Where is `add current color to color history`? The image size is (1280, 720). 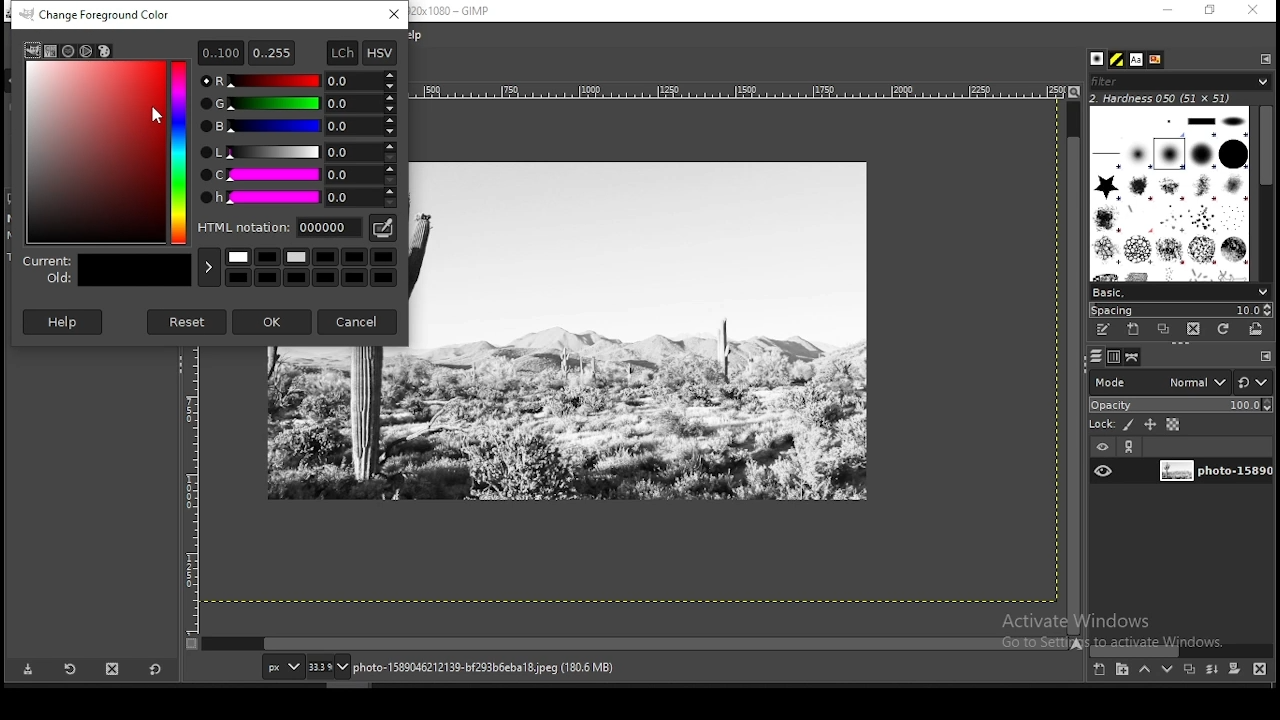
add current color to color history is located at coordinates (208, 268).